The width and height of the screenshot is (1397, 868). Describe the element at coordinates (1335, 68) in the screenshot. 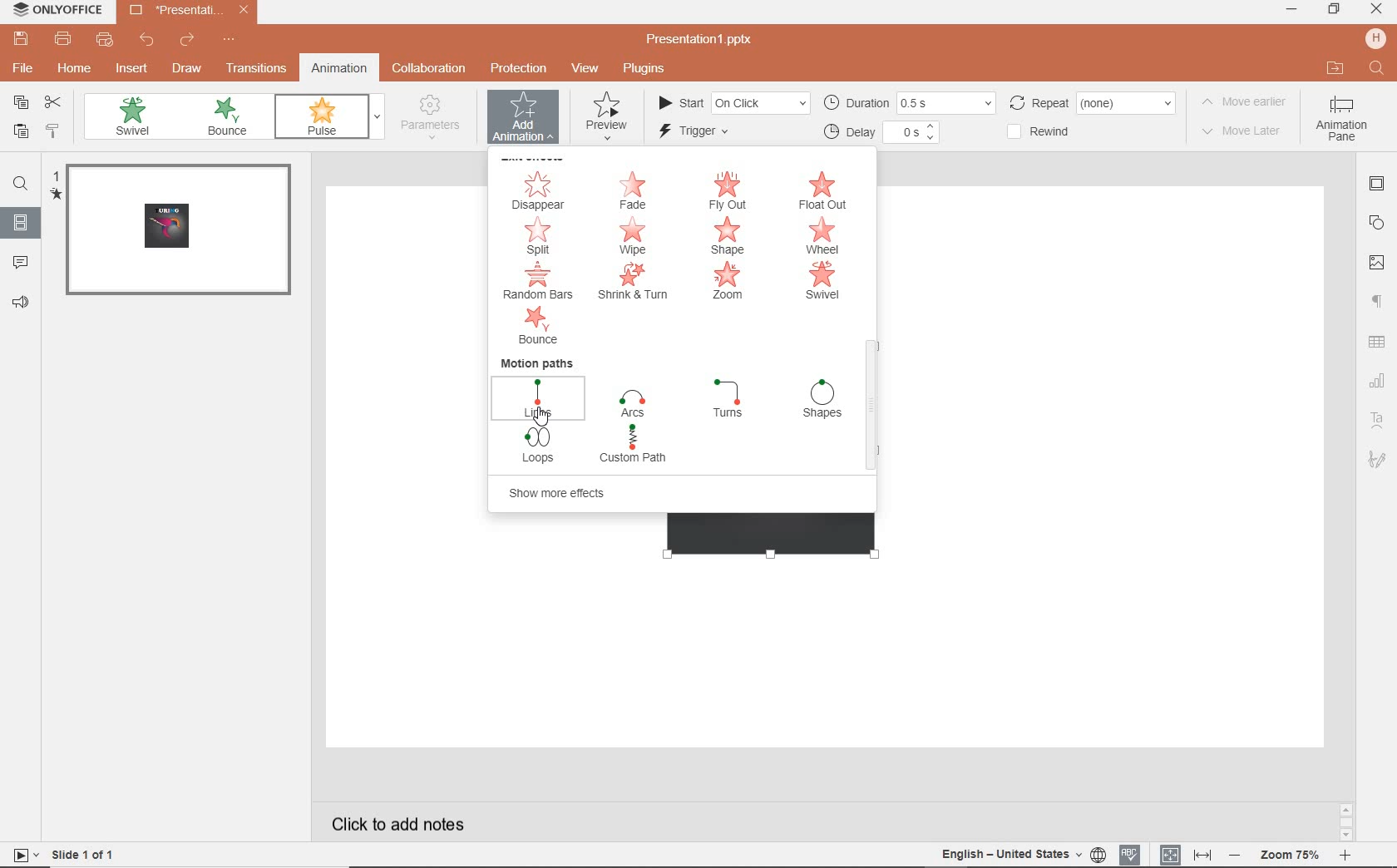

I see `open file location` at that location.